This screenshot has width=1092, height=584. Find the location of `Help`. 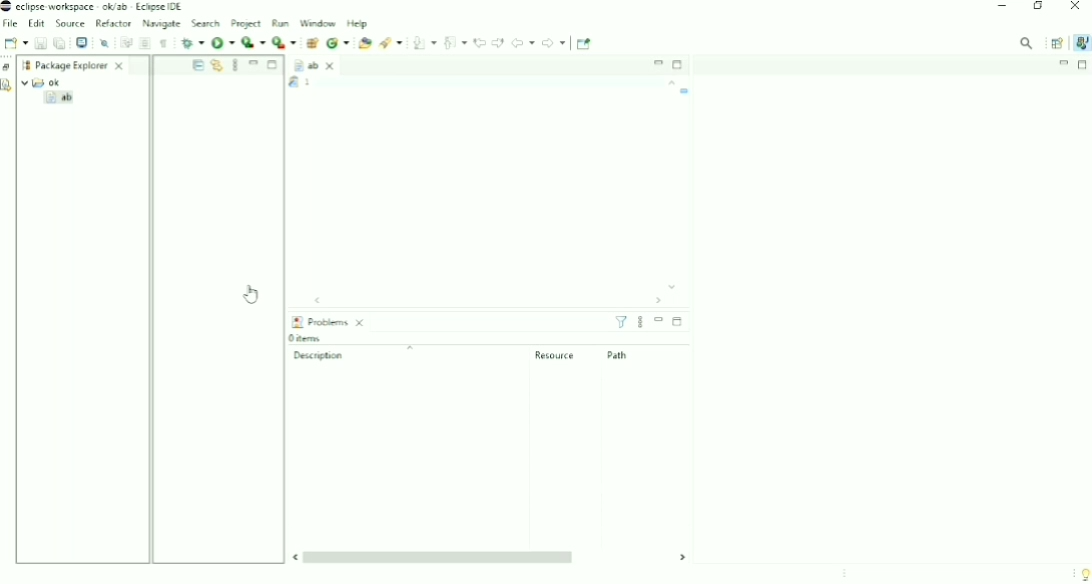

Help is located at coordinates (358, 24).